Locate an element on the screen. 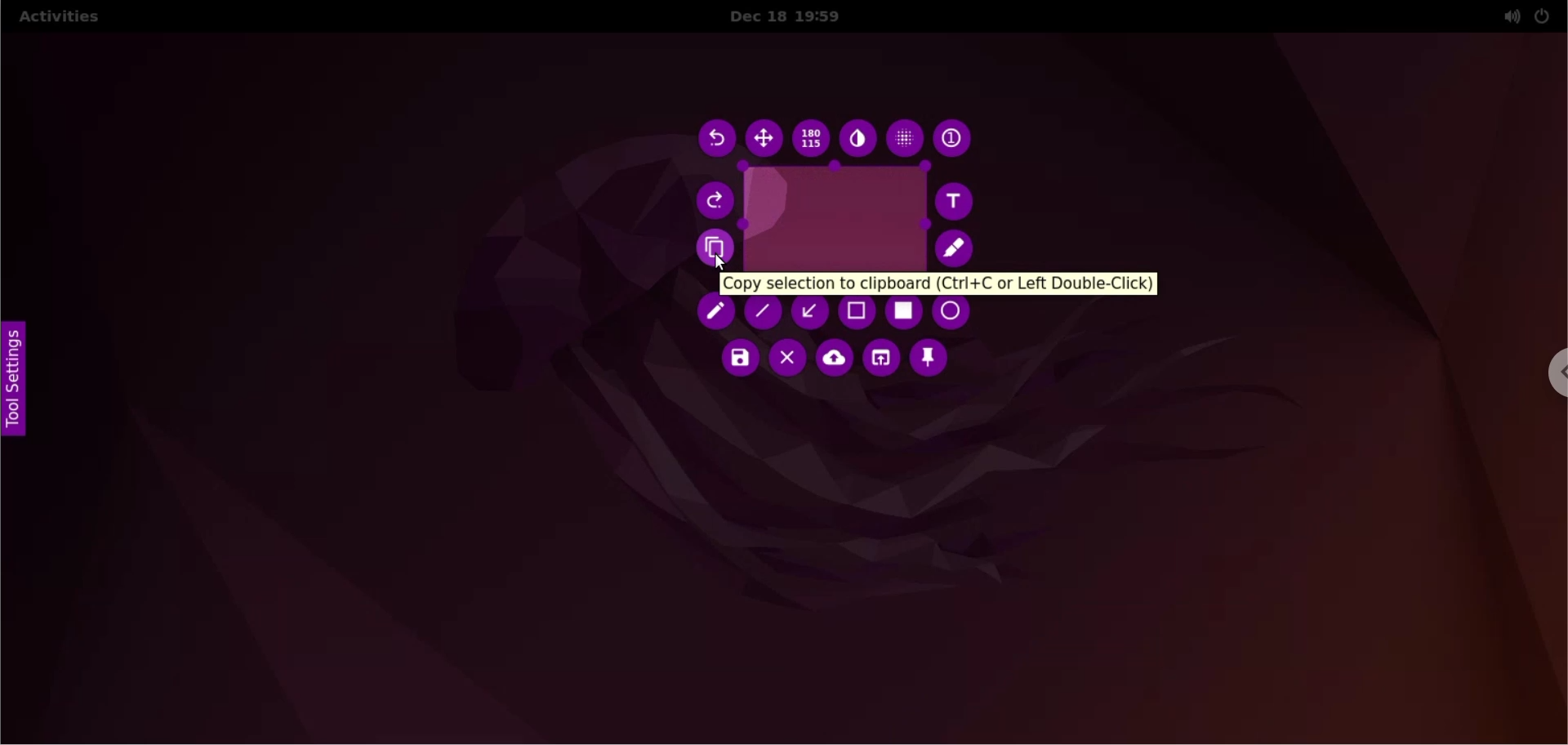  marker as paint tool is located at coordinates (958, 249).